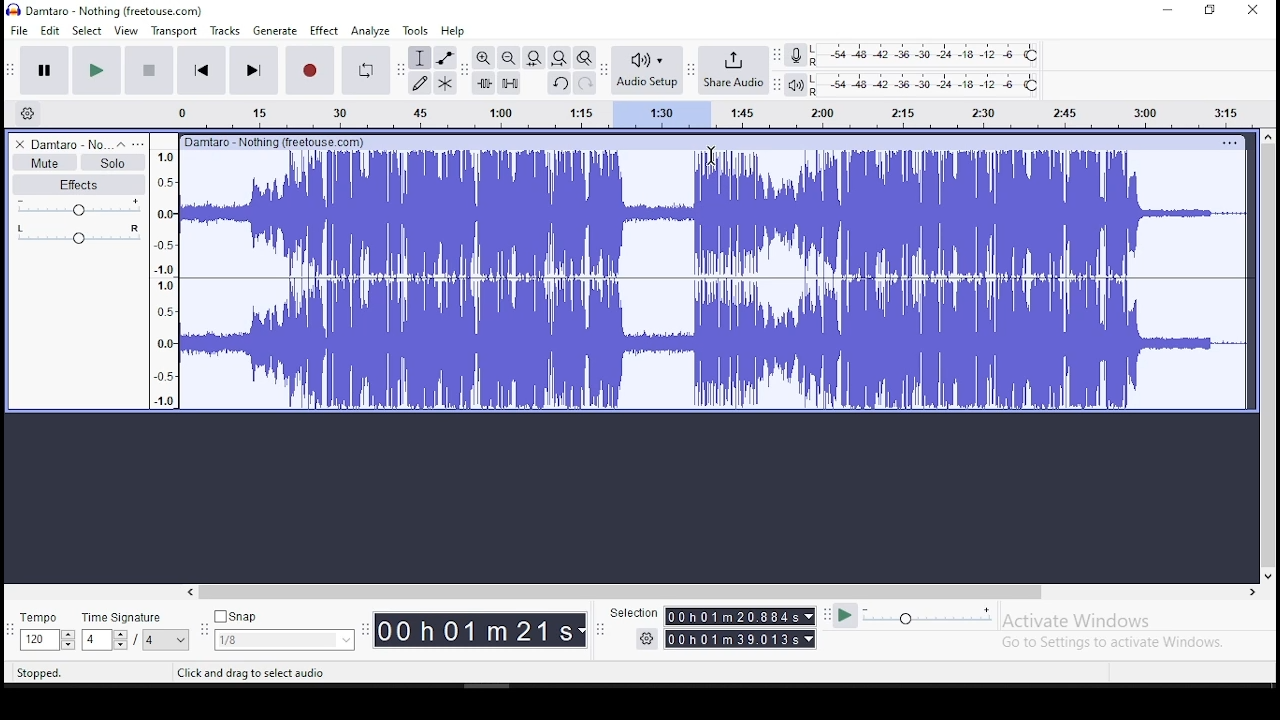  I want to click on skip to start, so click(253, 69).